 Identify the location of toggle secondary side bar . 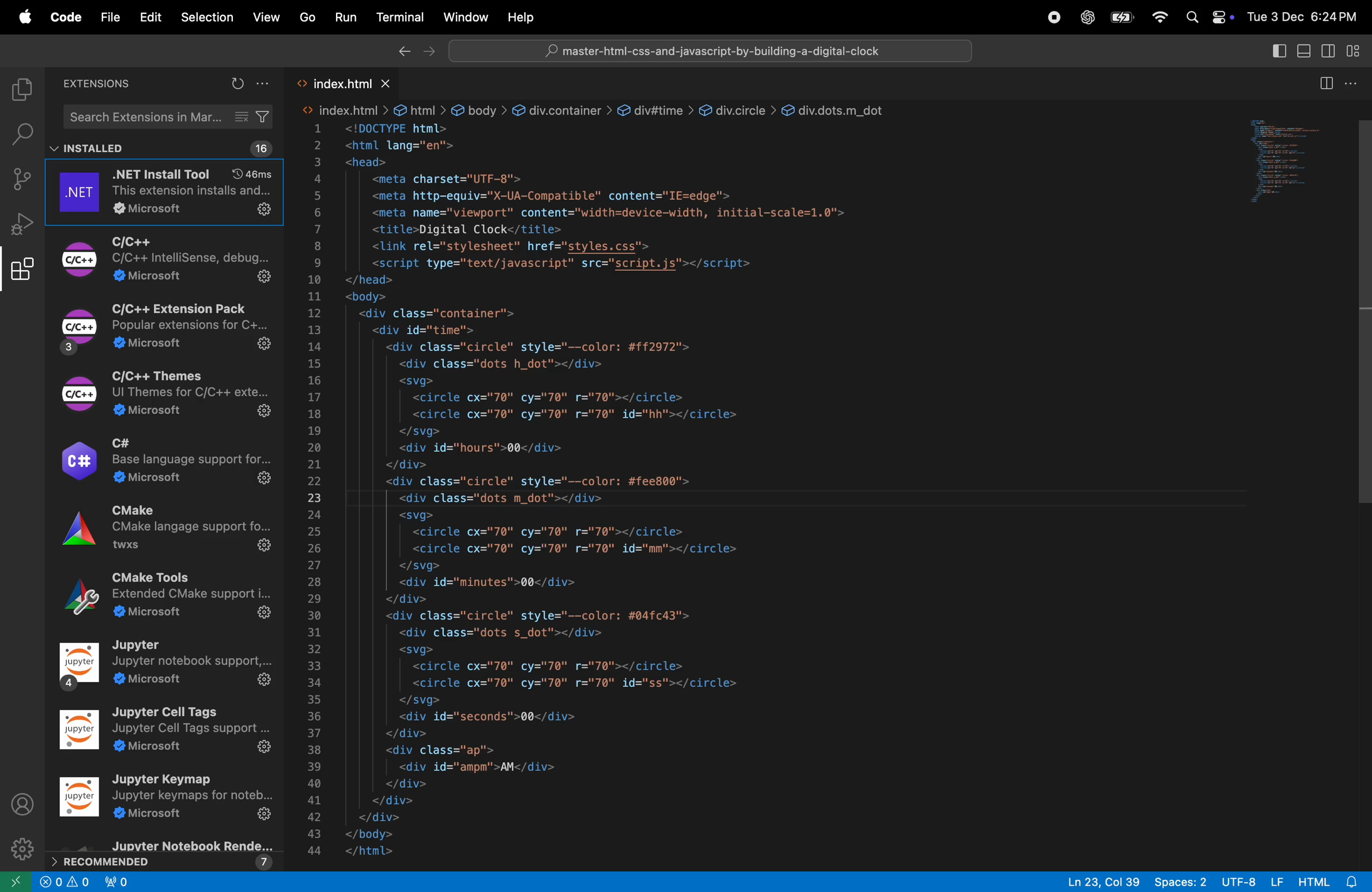
(1327, 50).